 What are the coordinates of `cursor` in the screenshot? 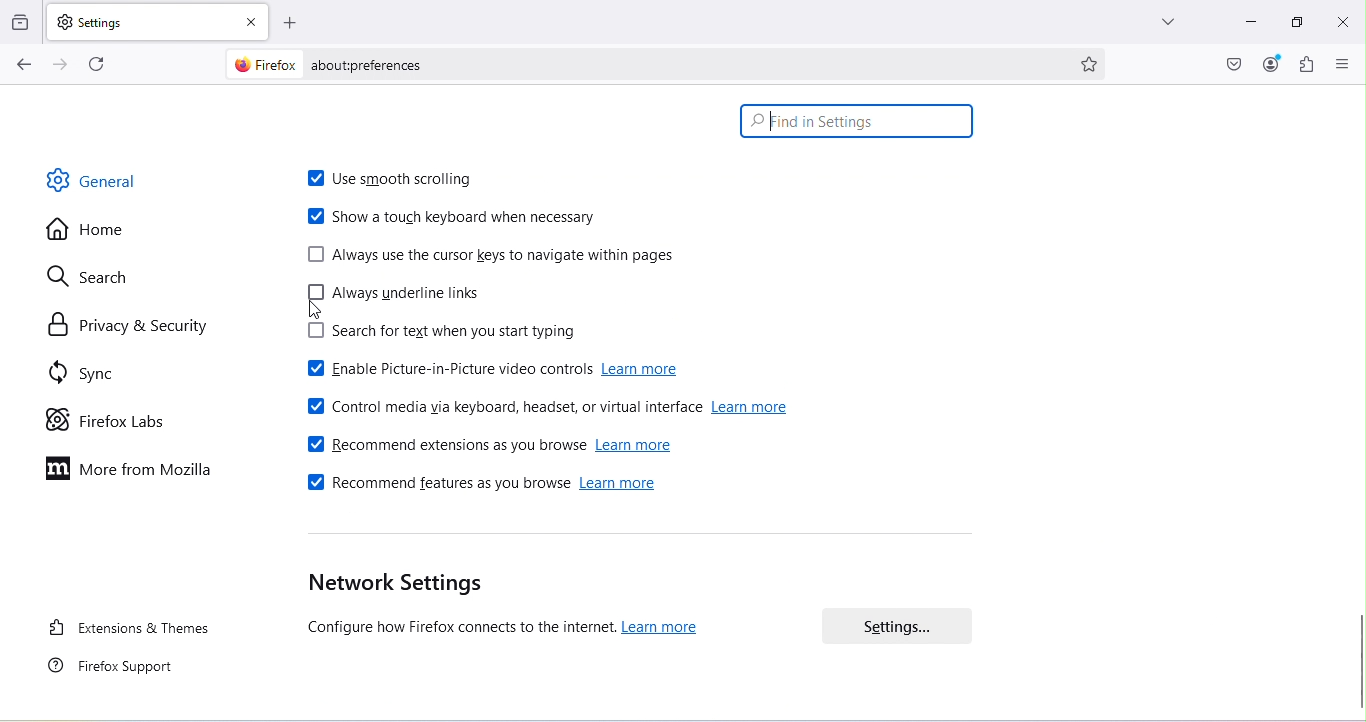 It's located at (315, 313).